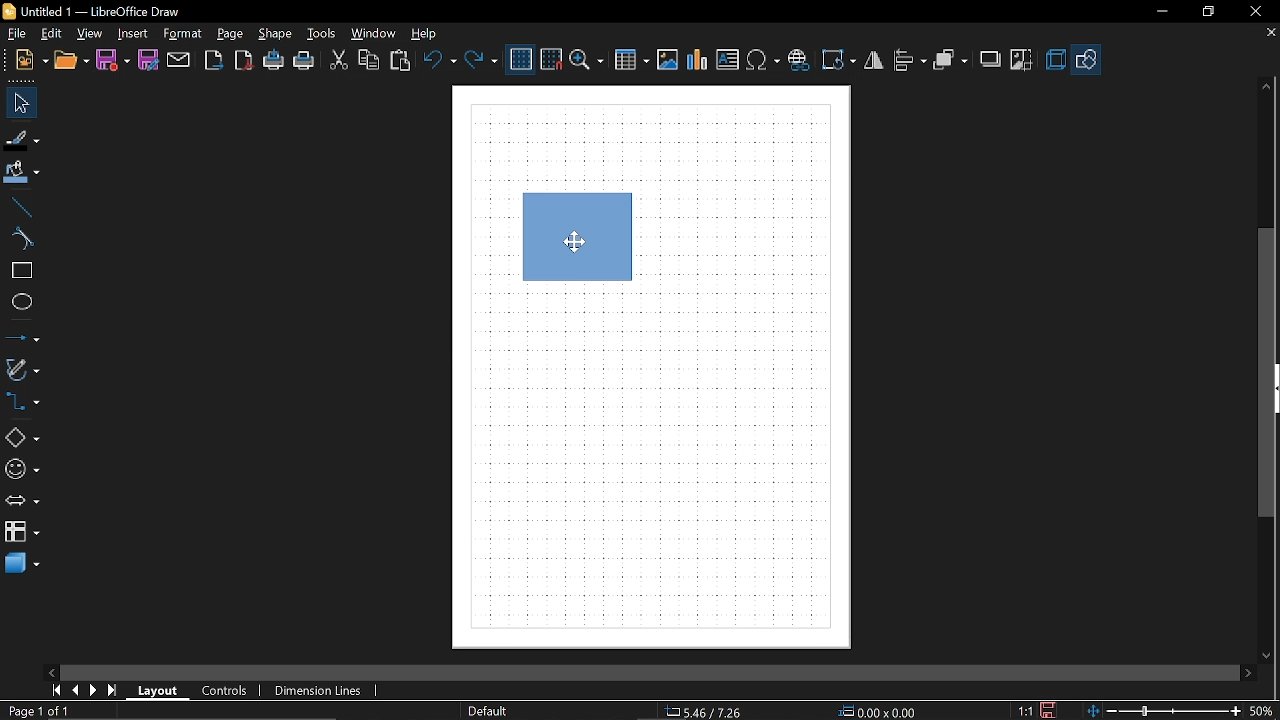 This screenshot has height=720, width=1280. What do you see at coordinates (22, 336) in the screenshot?
I see `Lines and arrows` at bounding box center [22, 336].